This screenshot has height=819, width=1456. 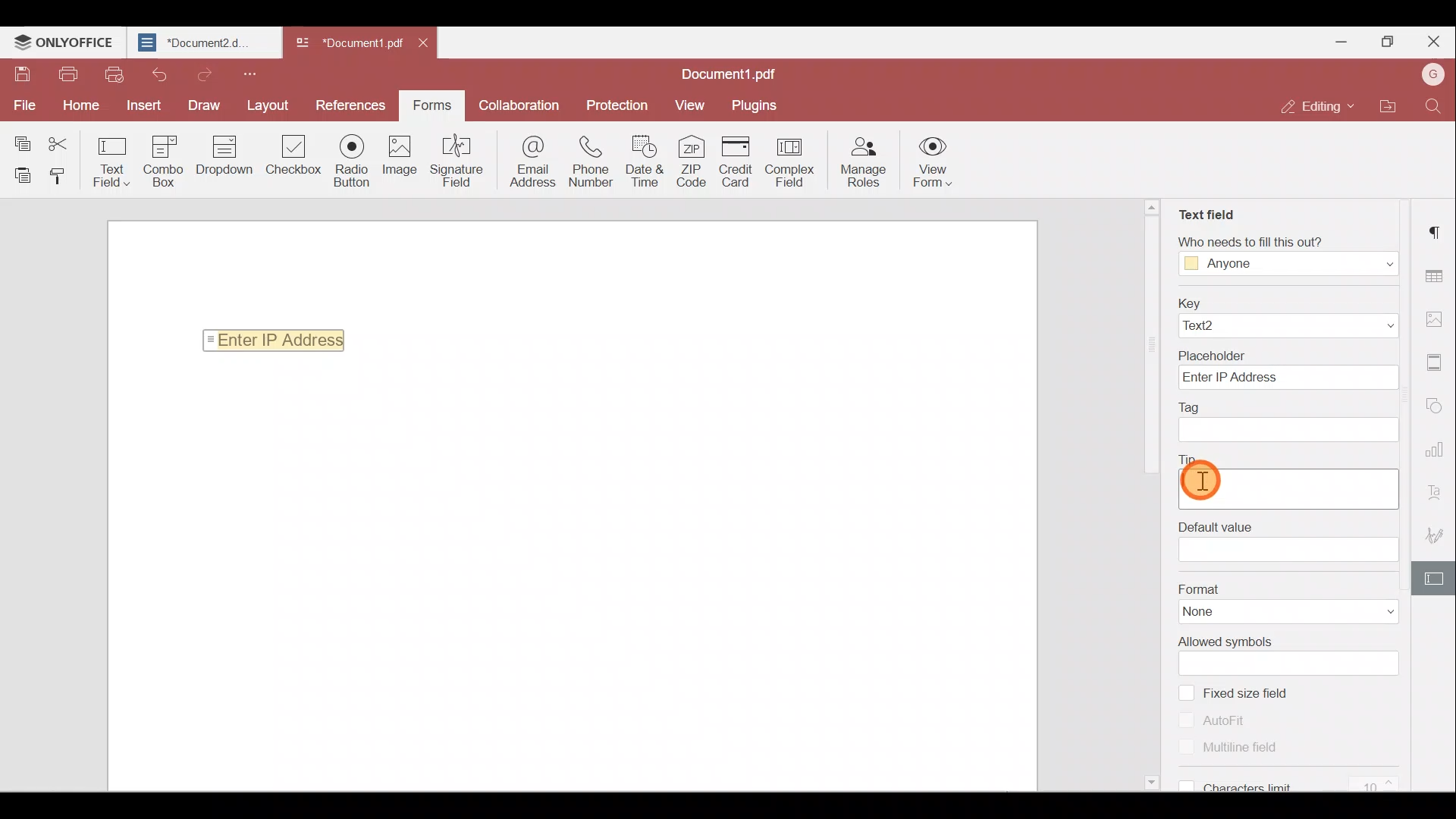 What do you see at coordinates (112, 161) in the screenshot?
I see `Text field` at bounding box center [112, 161].